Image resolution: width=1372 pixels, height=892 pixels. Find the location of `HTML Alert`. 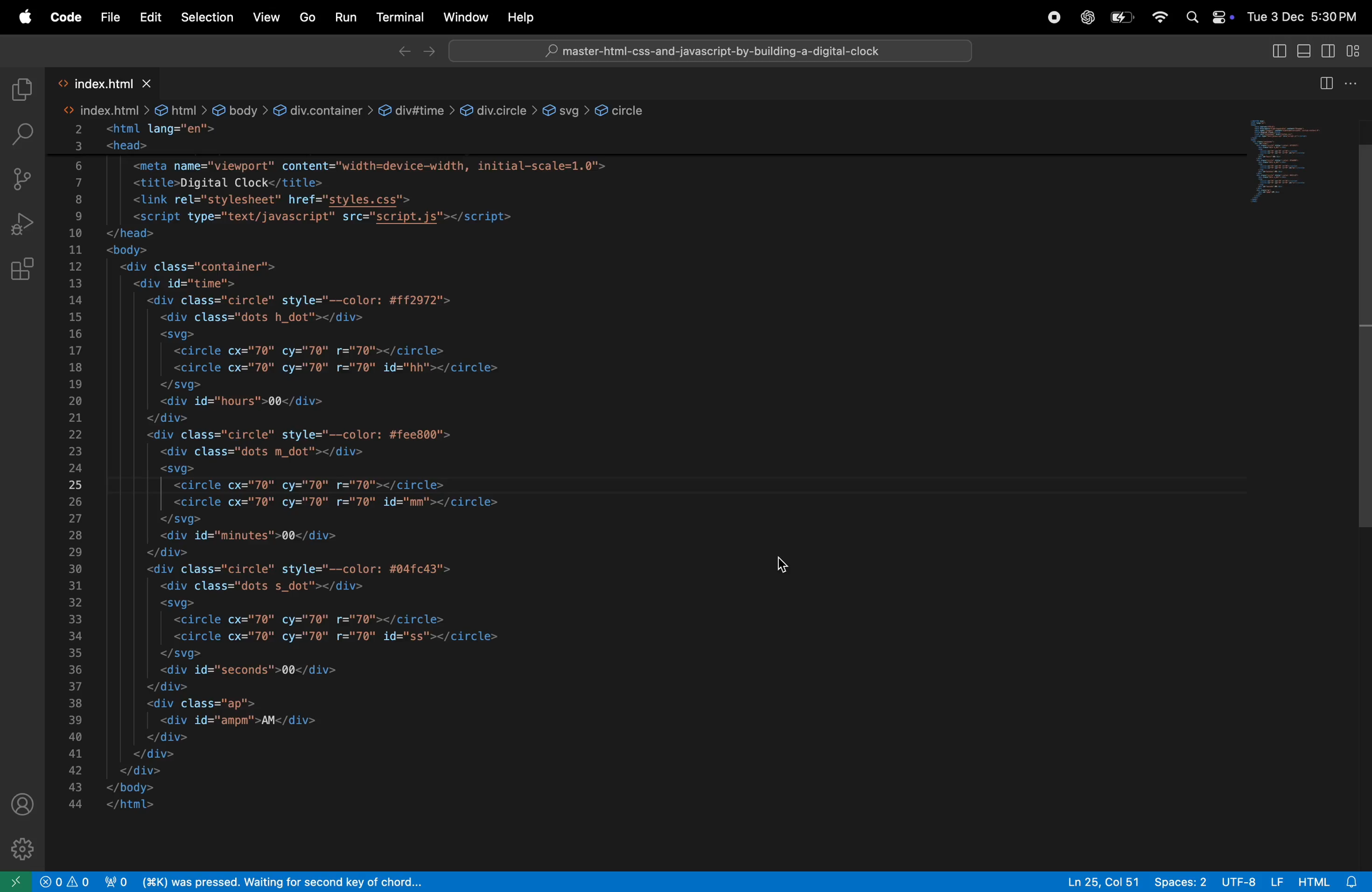

HTML Alert is located at coordinates (1333, 880).